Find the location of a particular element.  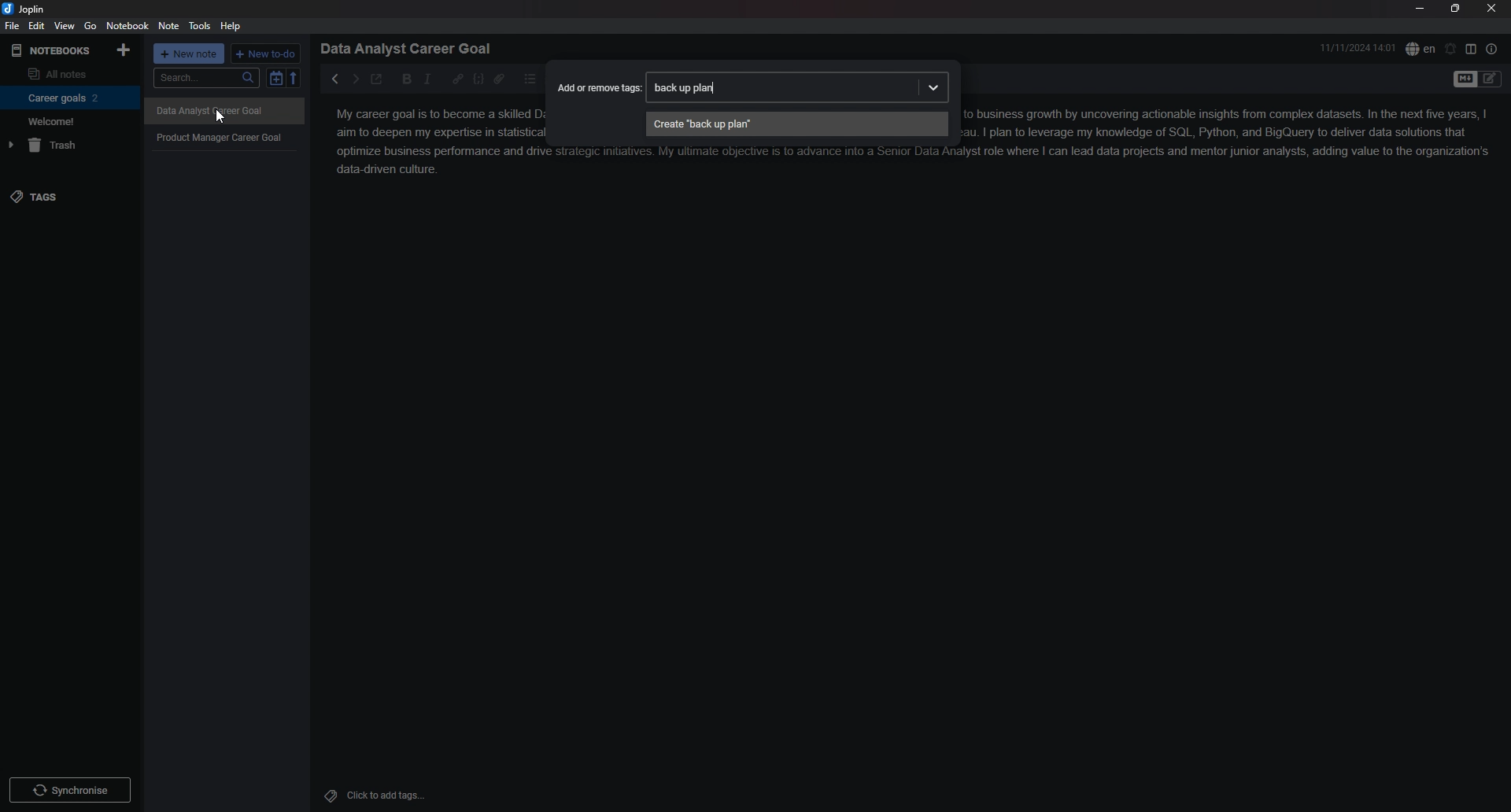

previous is located at coordinates (334, 79).